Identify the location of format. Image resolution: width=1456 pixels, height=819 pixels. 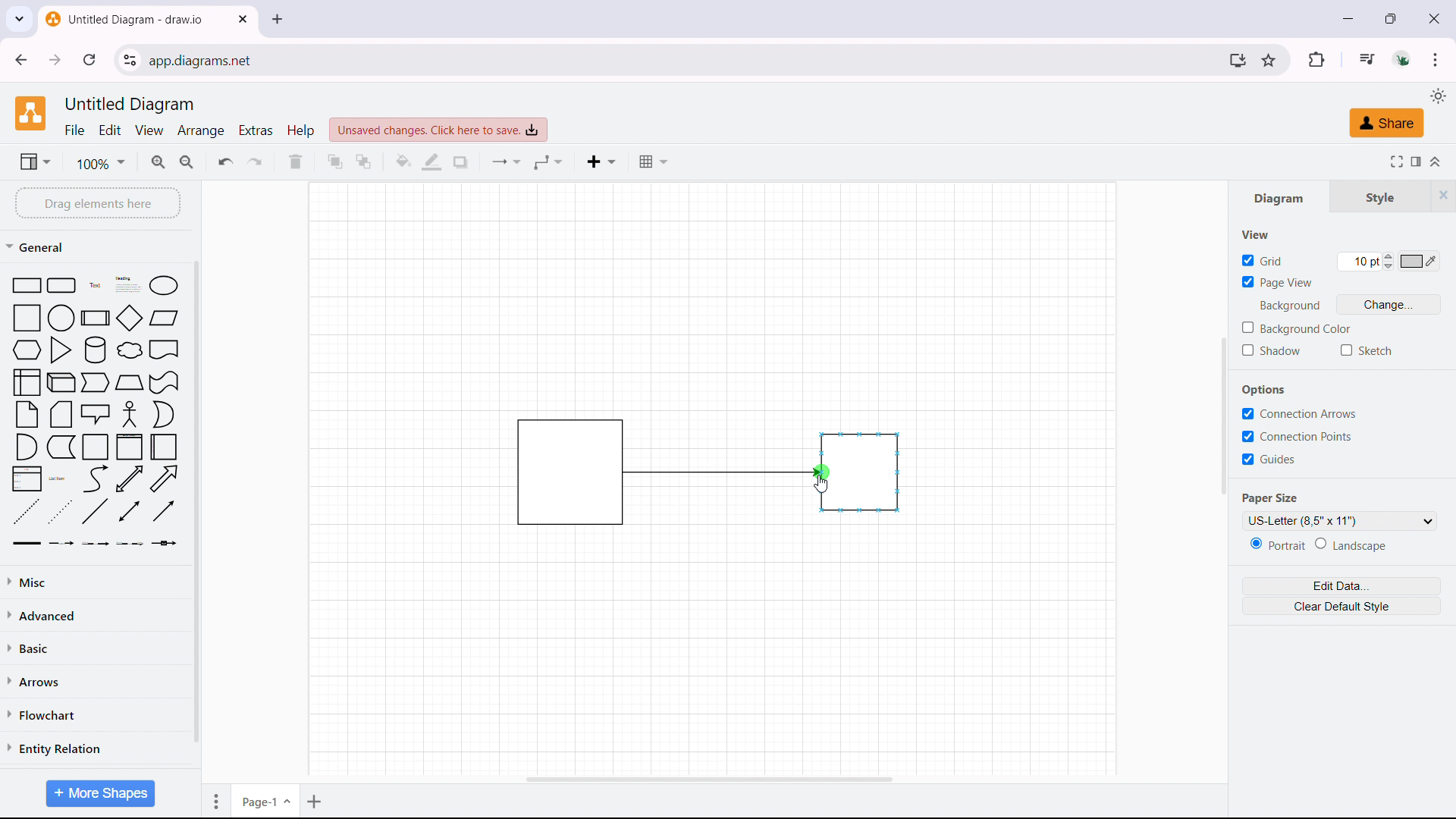
(1415, 160).